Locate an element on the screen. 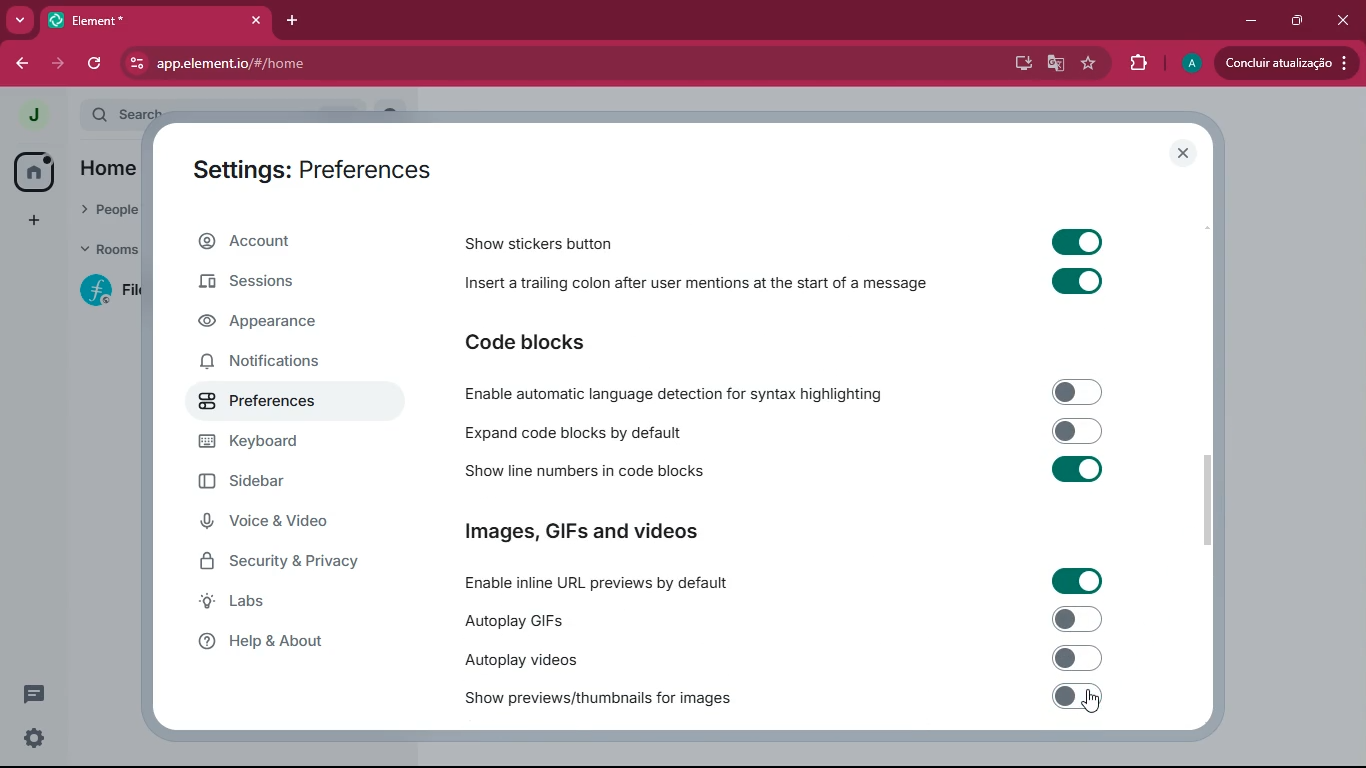 The width and height of the screenshot is (1366, 768). desktop is located at coordinates (1018, 65).